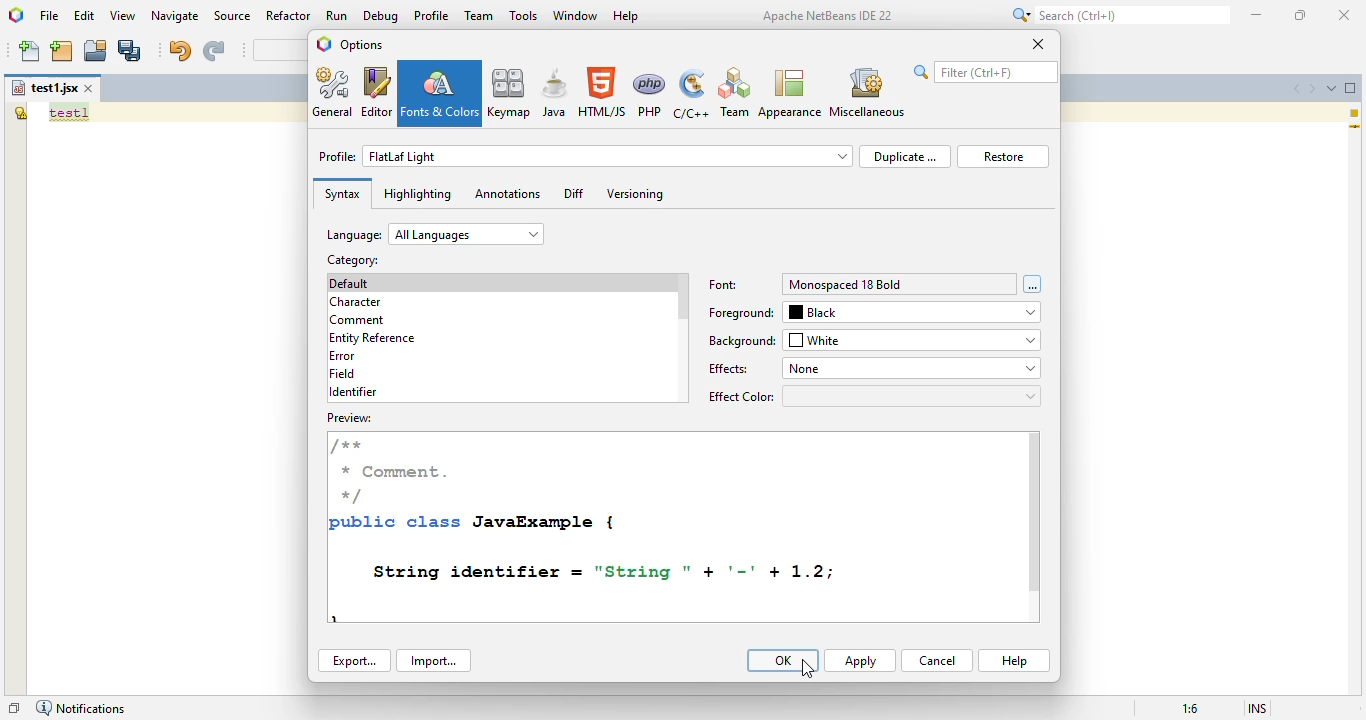 The width and height of the screenshot is (1366, 720). I want to click on identifier, so click(353, 392).